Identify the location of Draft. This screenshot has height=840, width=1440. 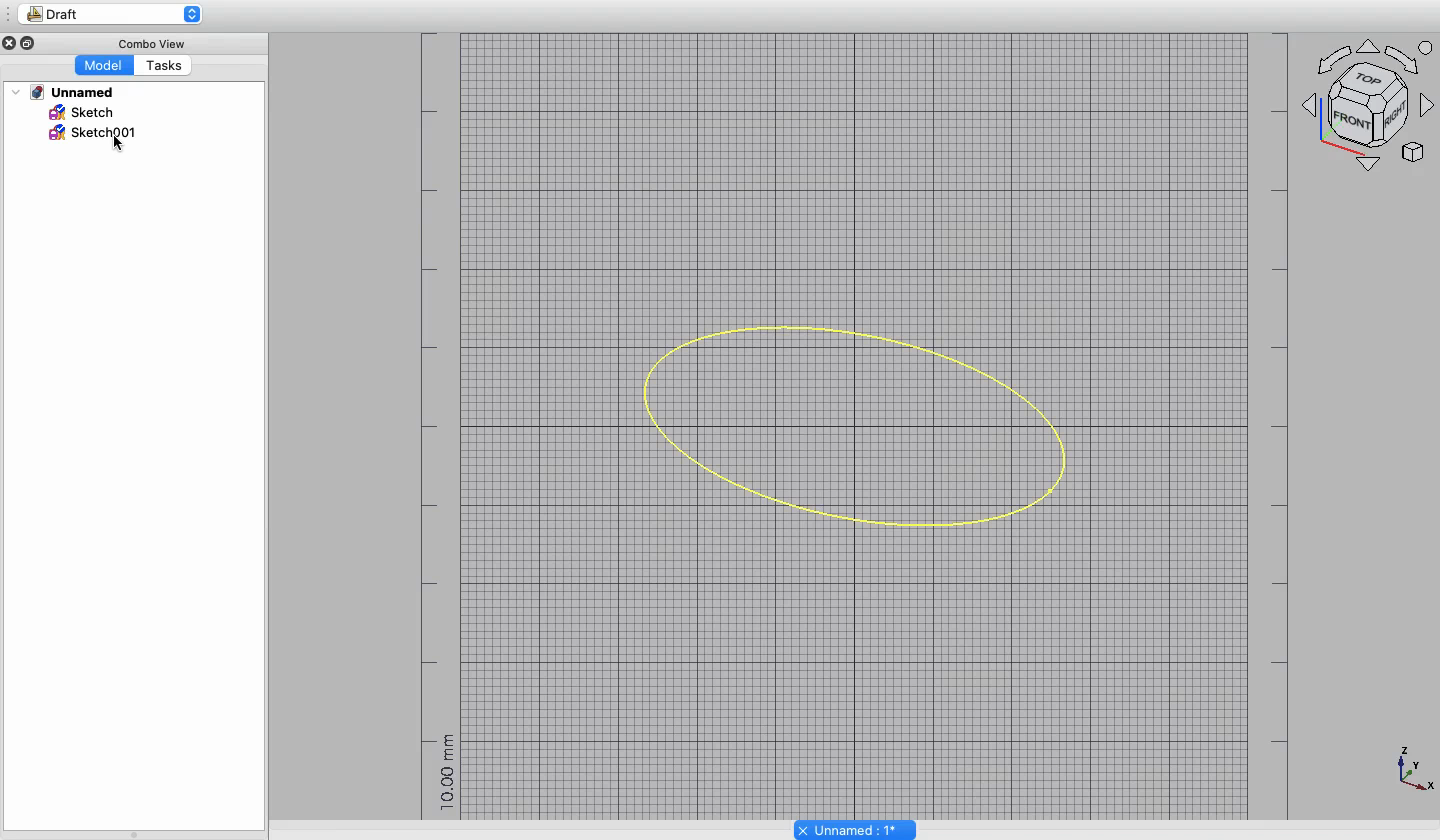
(120, 15).